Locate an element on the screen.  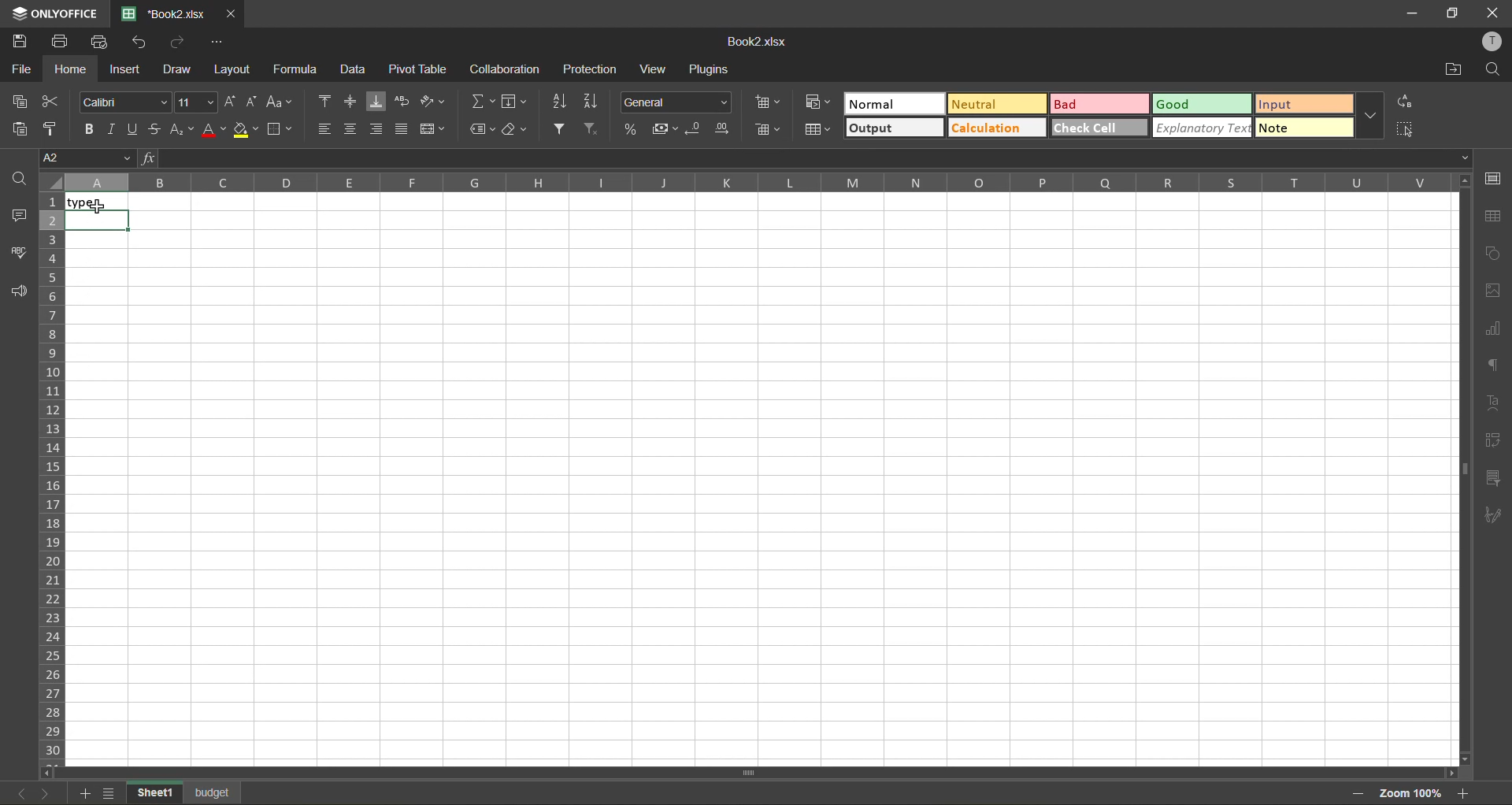
pivot table is located at coordinates (1494, 440).